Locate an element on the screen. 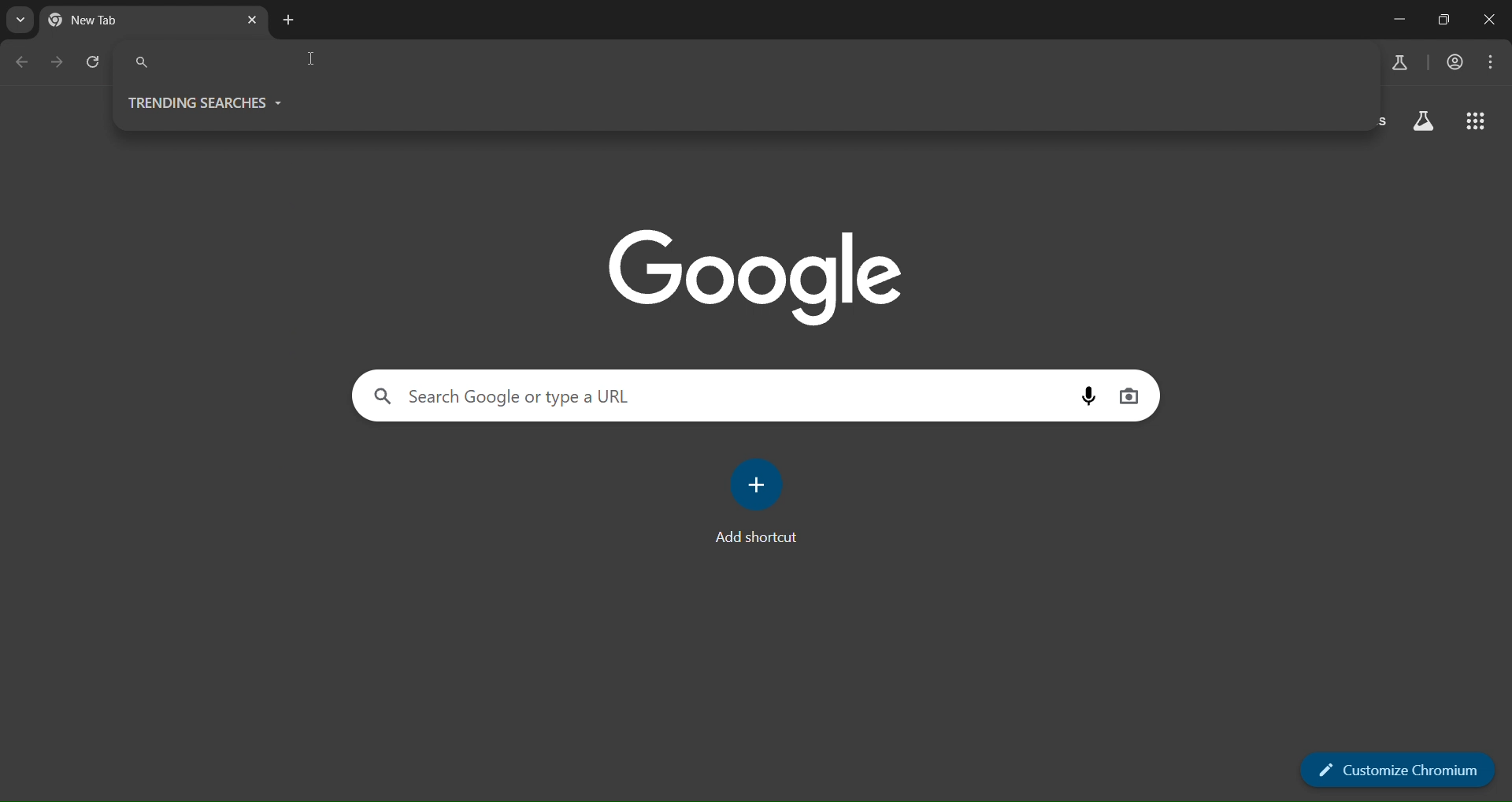  add shortcut is located at coordinates (761, 502).